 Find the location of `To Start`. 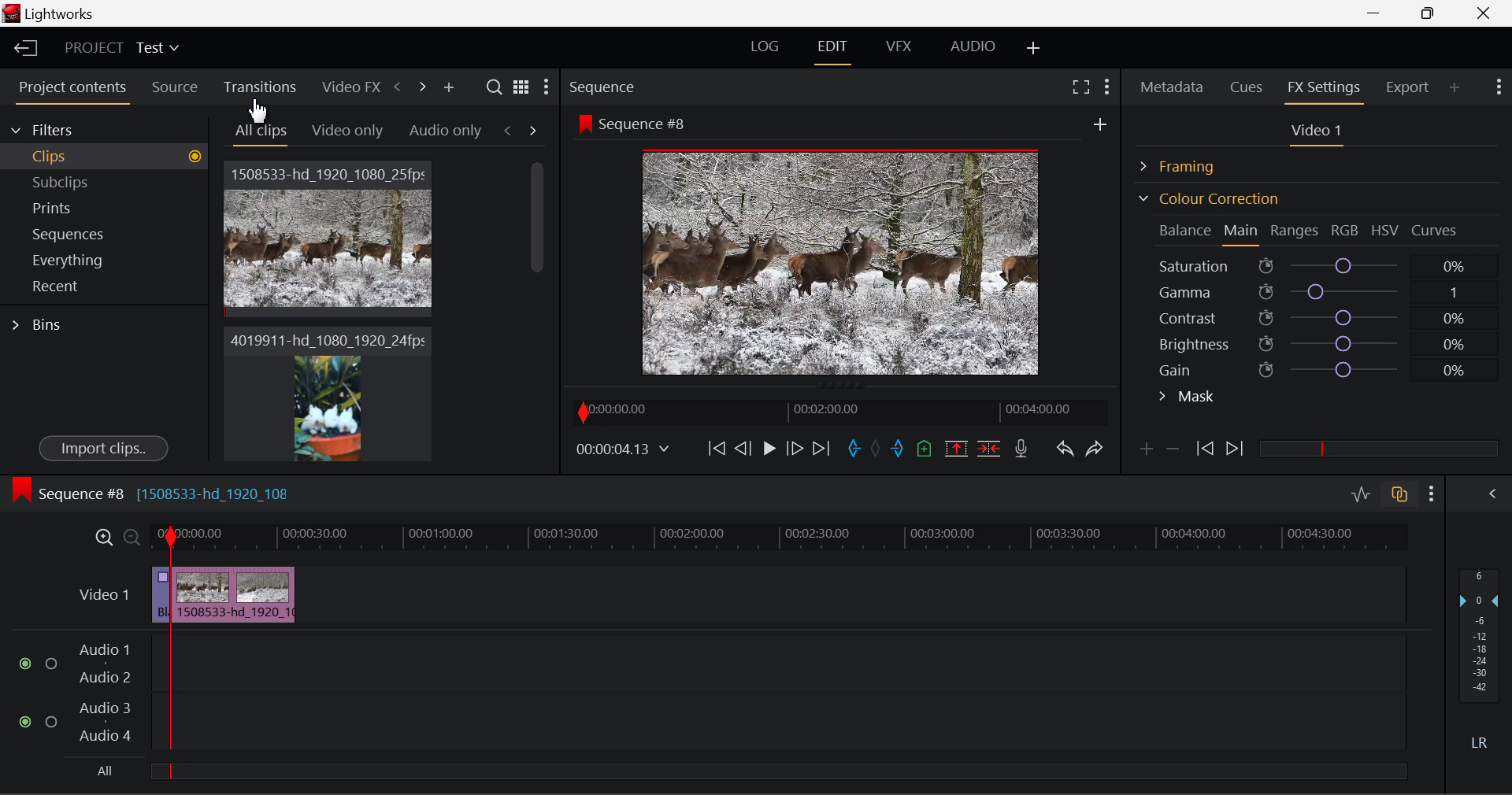

To Start is located at coordinates (715, 448).